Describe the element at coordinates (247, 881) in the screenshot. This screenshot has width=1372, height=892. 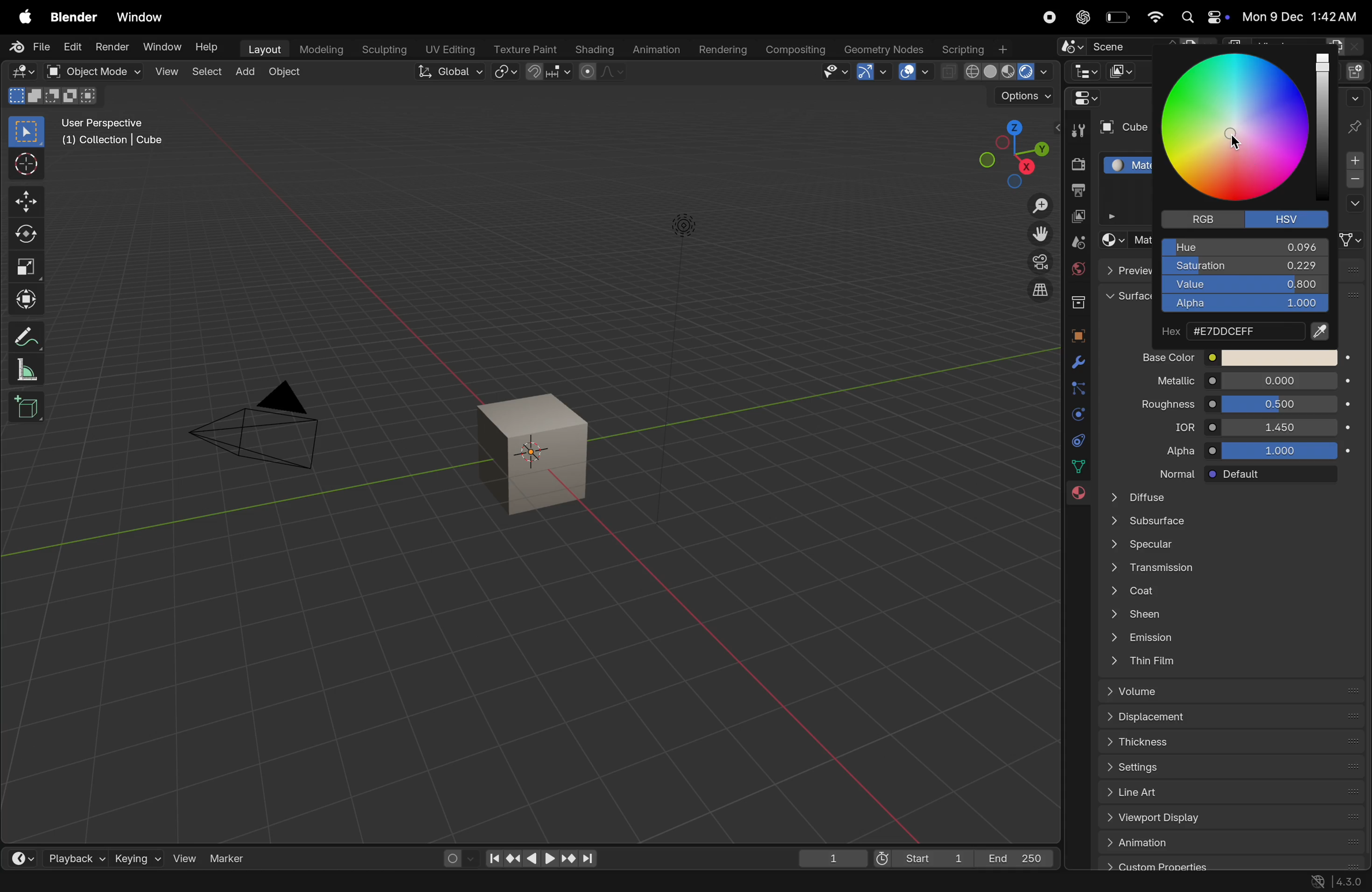
I see `context menu` at that location.